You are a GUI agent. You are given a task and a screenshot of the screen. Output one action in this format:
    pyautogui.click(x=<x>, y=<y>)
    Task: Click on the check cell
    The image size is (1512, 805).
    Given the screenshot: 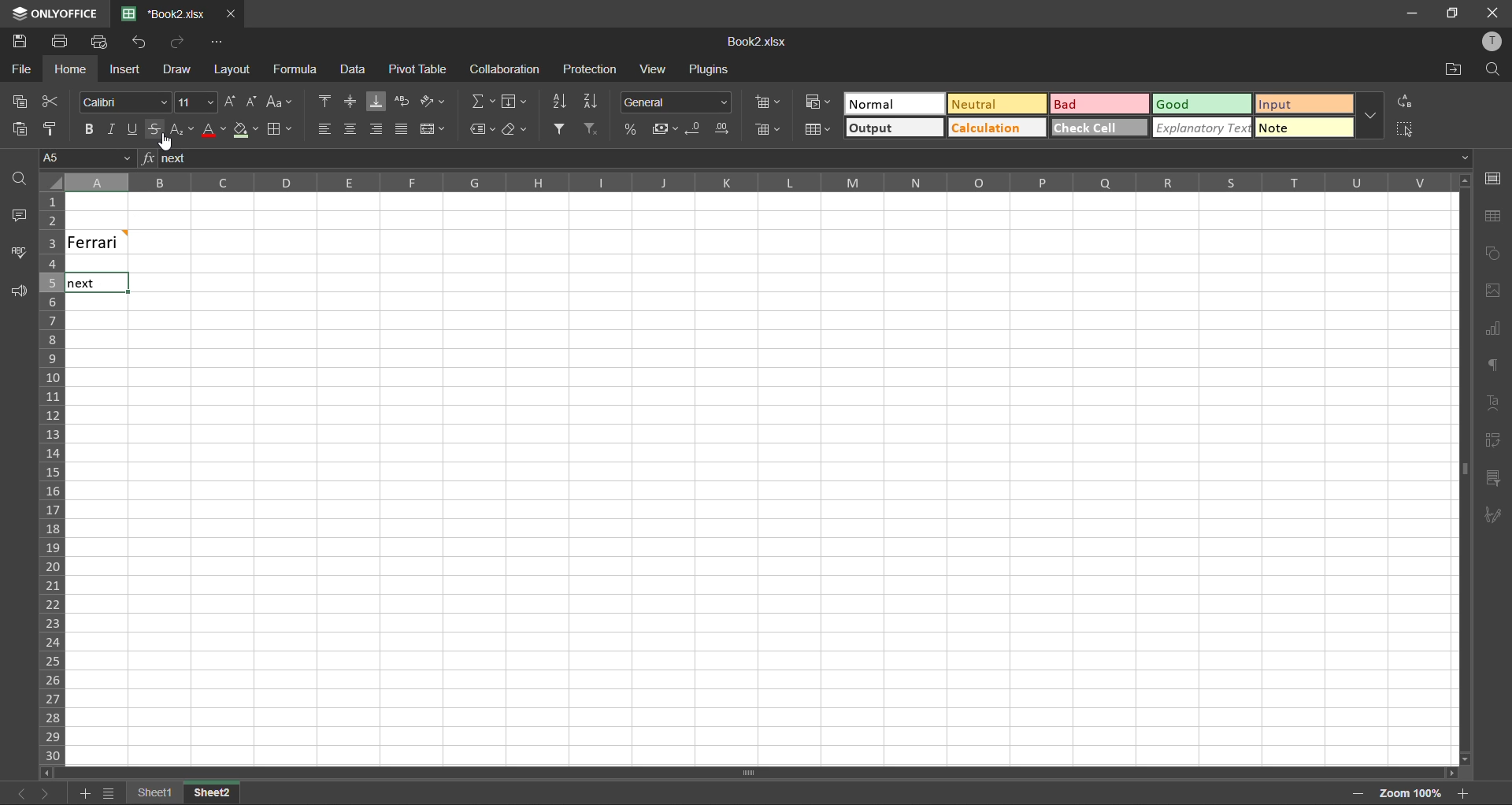 What is the action you would take?
    pyautogui.click(x=1101, y=128)
    